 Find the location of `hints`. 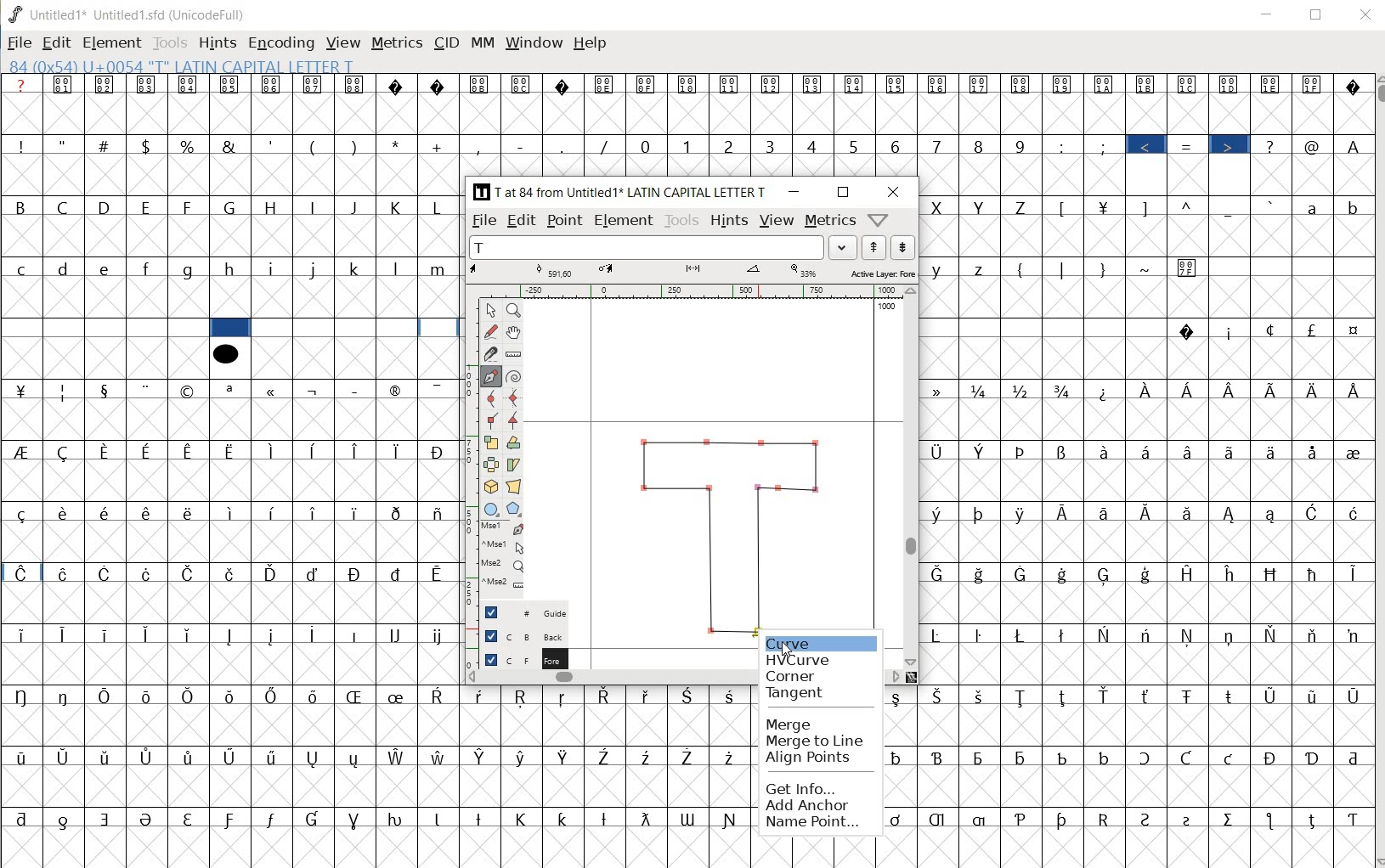

hints is located at coordinates (727, 221).